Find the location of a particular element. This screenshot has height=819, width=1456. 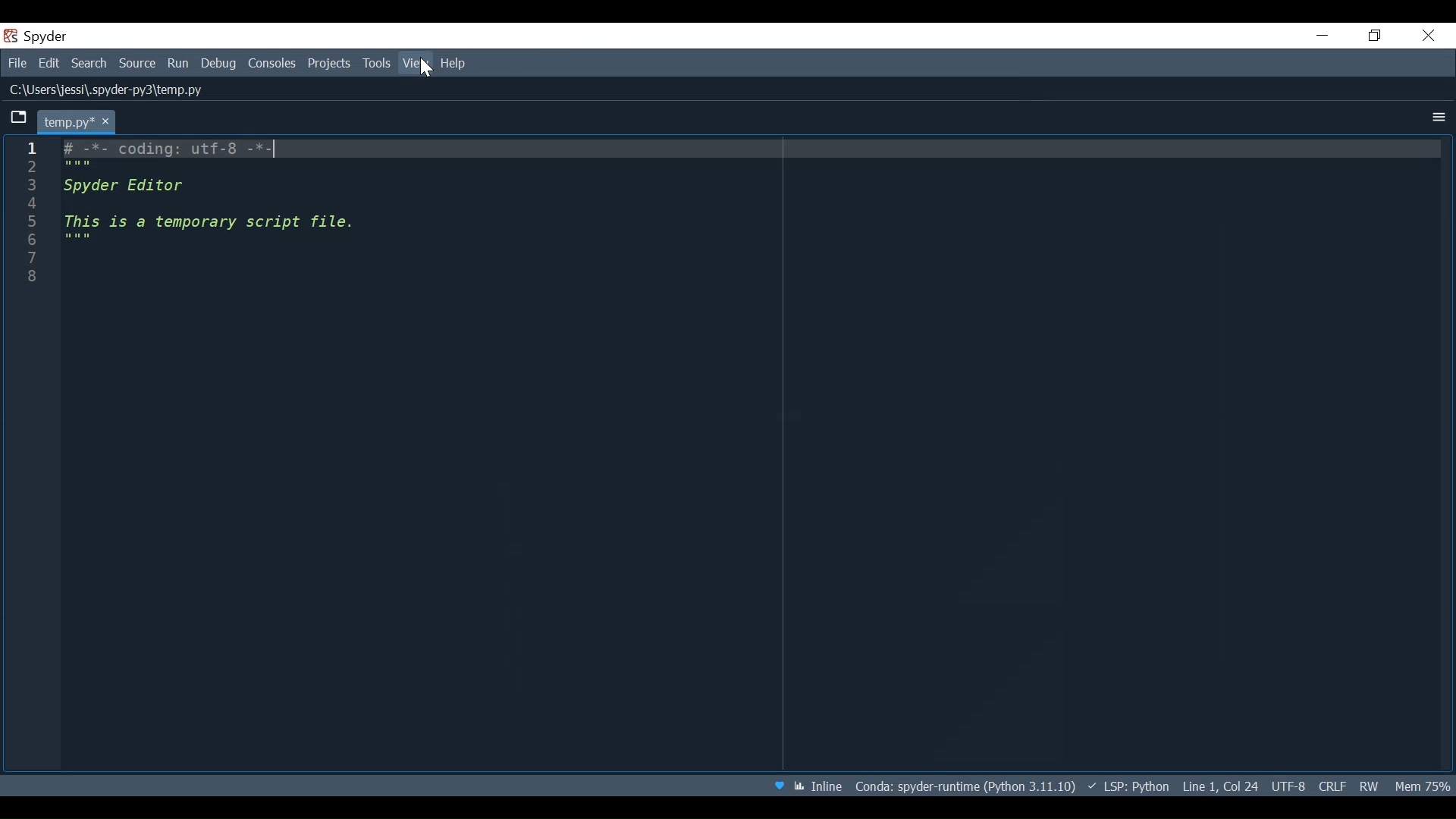

Debug is located at coordinates (218, 63).